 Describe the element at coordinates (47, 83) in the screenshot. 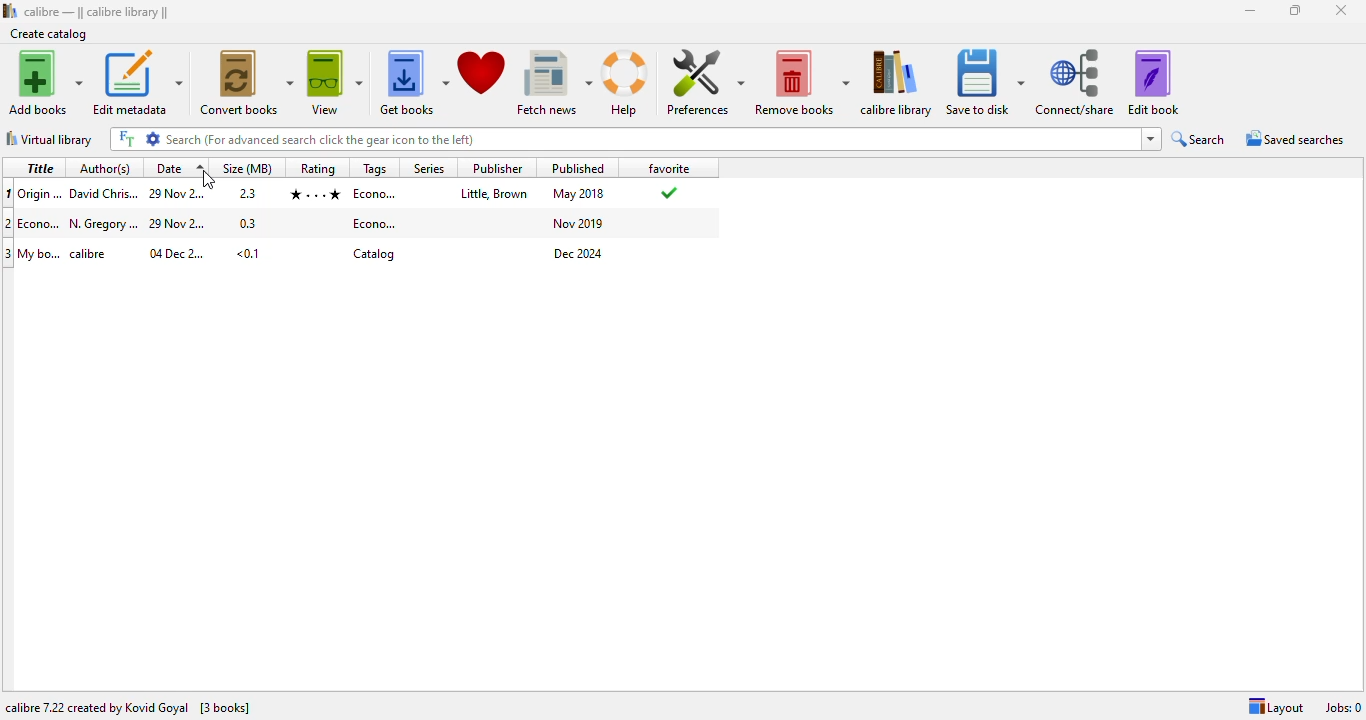

I see `add books` at that location.